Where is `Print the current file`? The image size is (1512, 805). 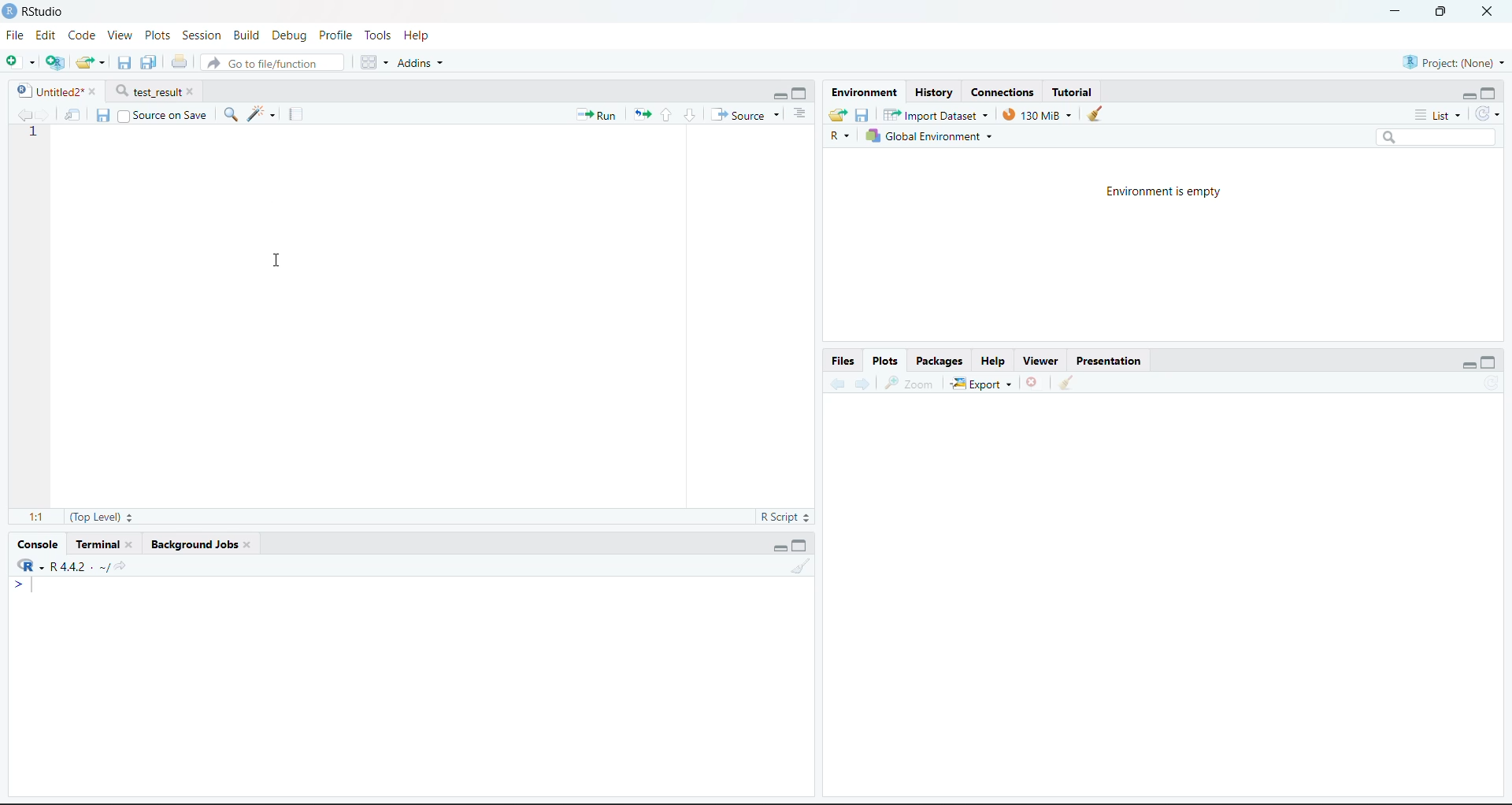 Print the current file is located at coordinates (180, 59).